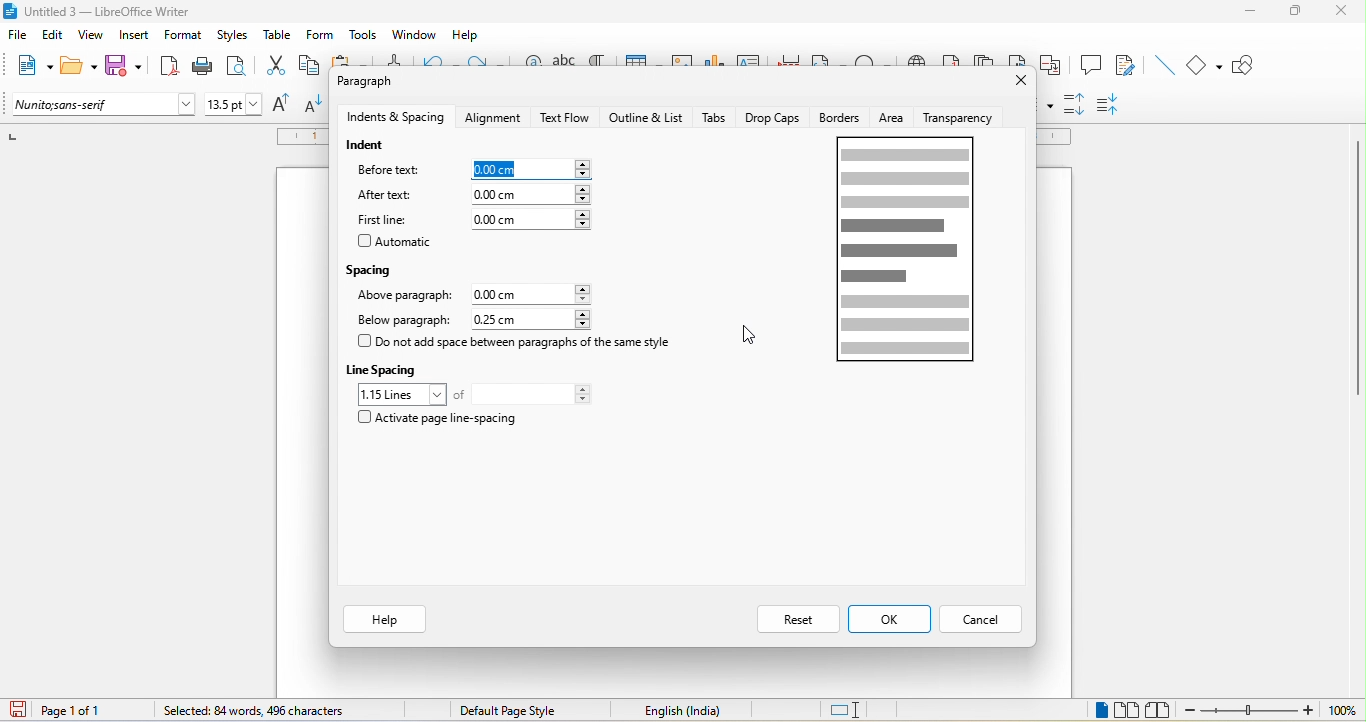  I want to click on before text, so click(391, 170).